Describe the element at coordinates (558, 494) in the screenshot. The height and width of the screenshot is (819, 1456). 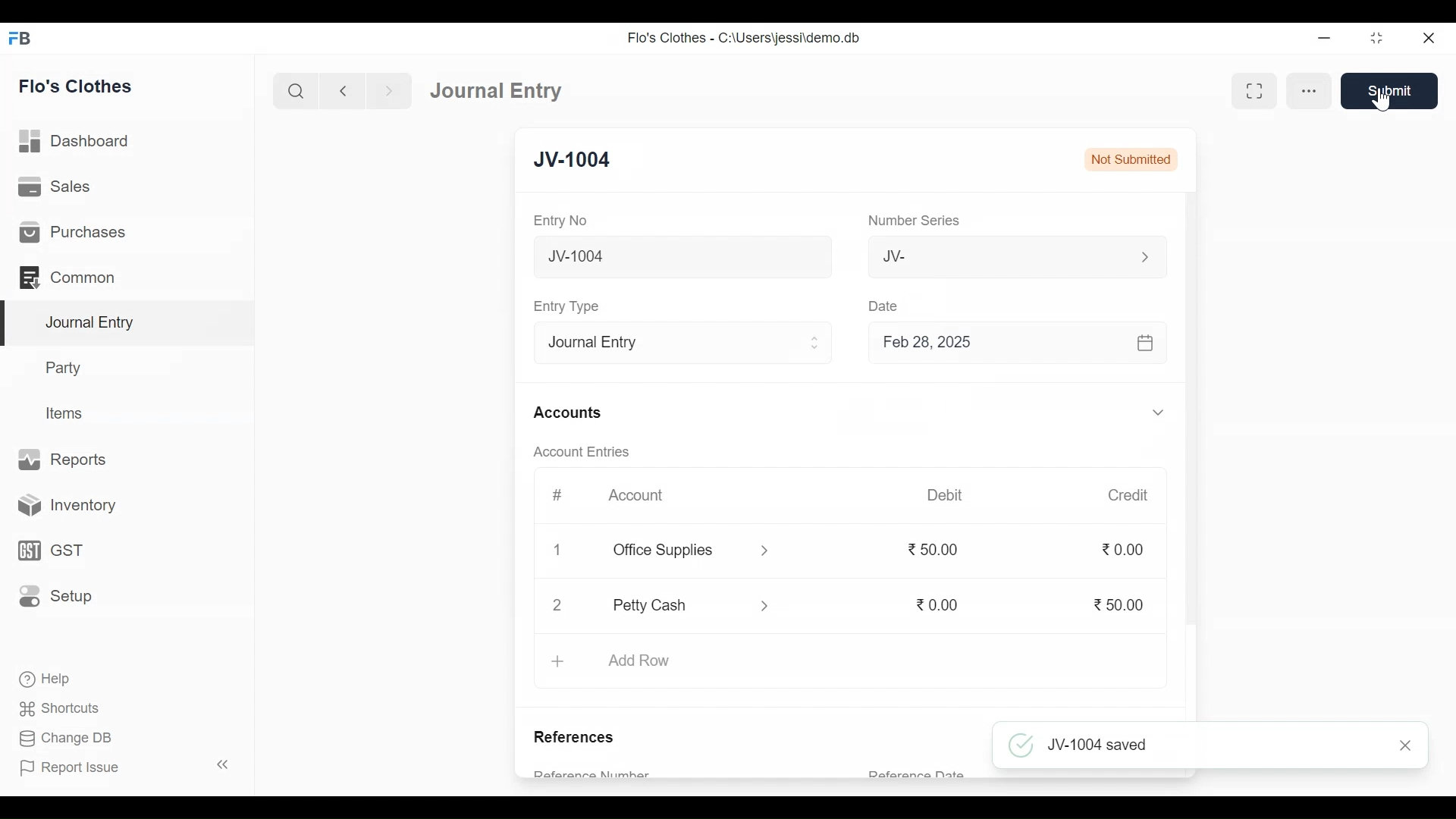
I see `#` at that location.